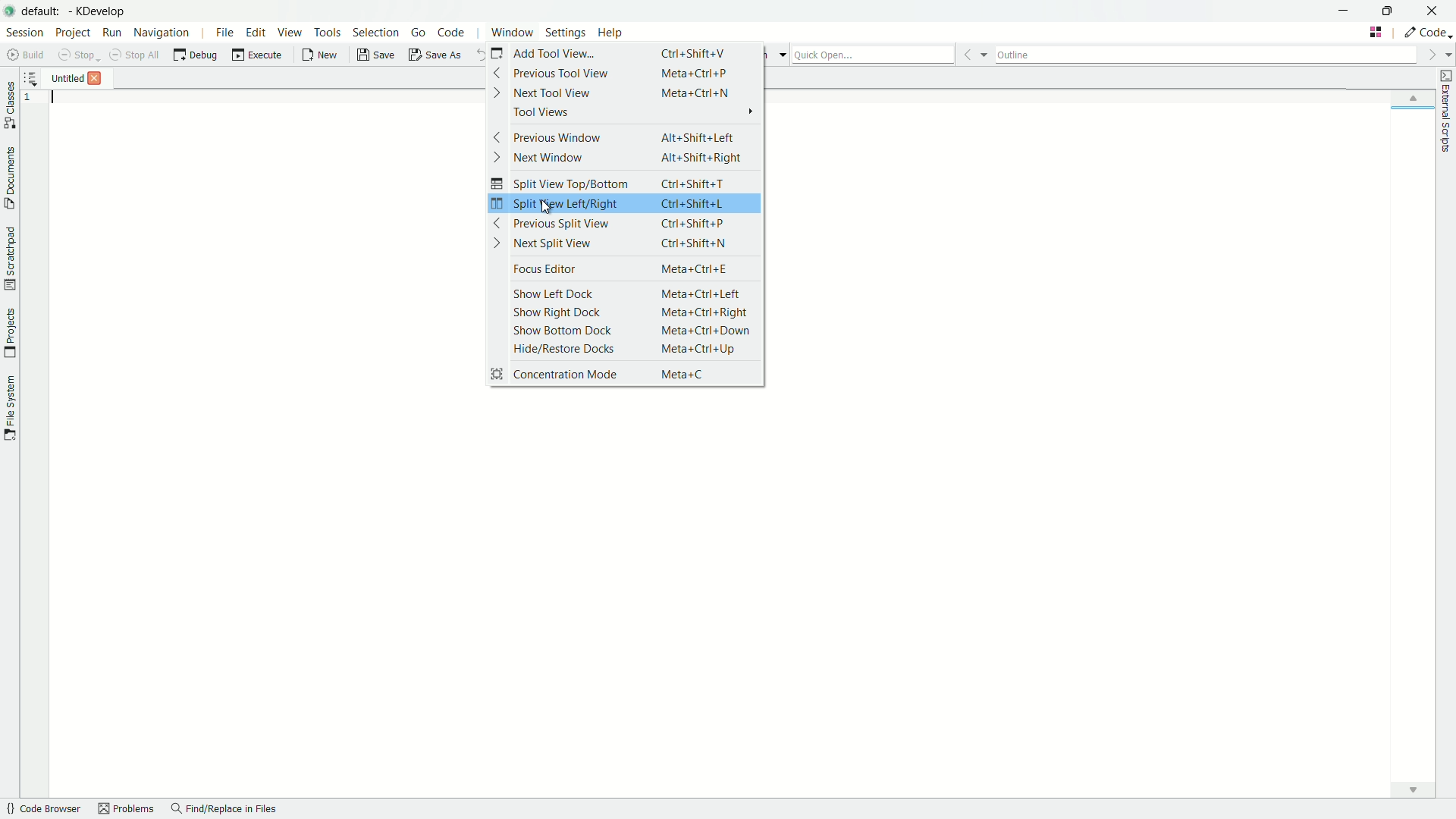 The width and height of the screenshot is (1456, 819). What do you see at coordinates (135, 55) in the screenshot?
I see `stop all` at bounding box center [135, 55].